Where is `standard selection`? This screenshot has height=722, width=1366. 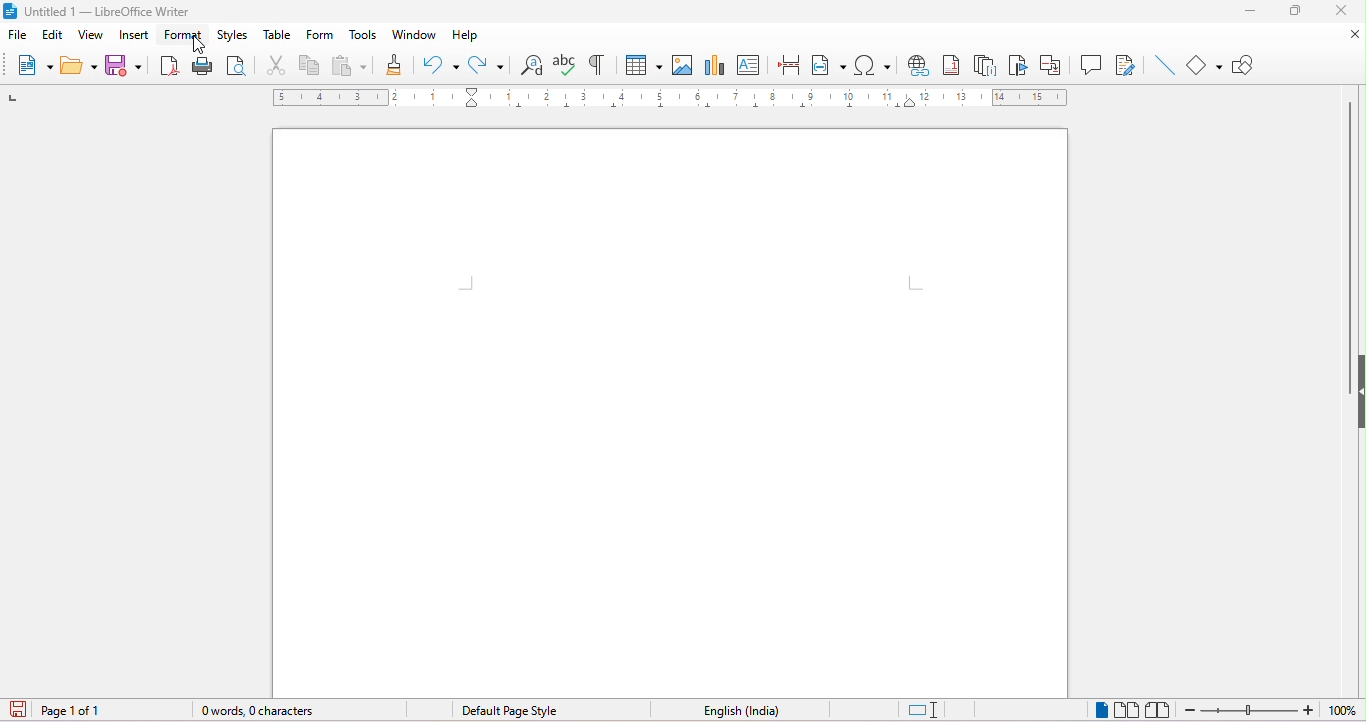 standard selection is located at coordinates (924, 707).